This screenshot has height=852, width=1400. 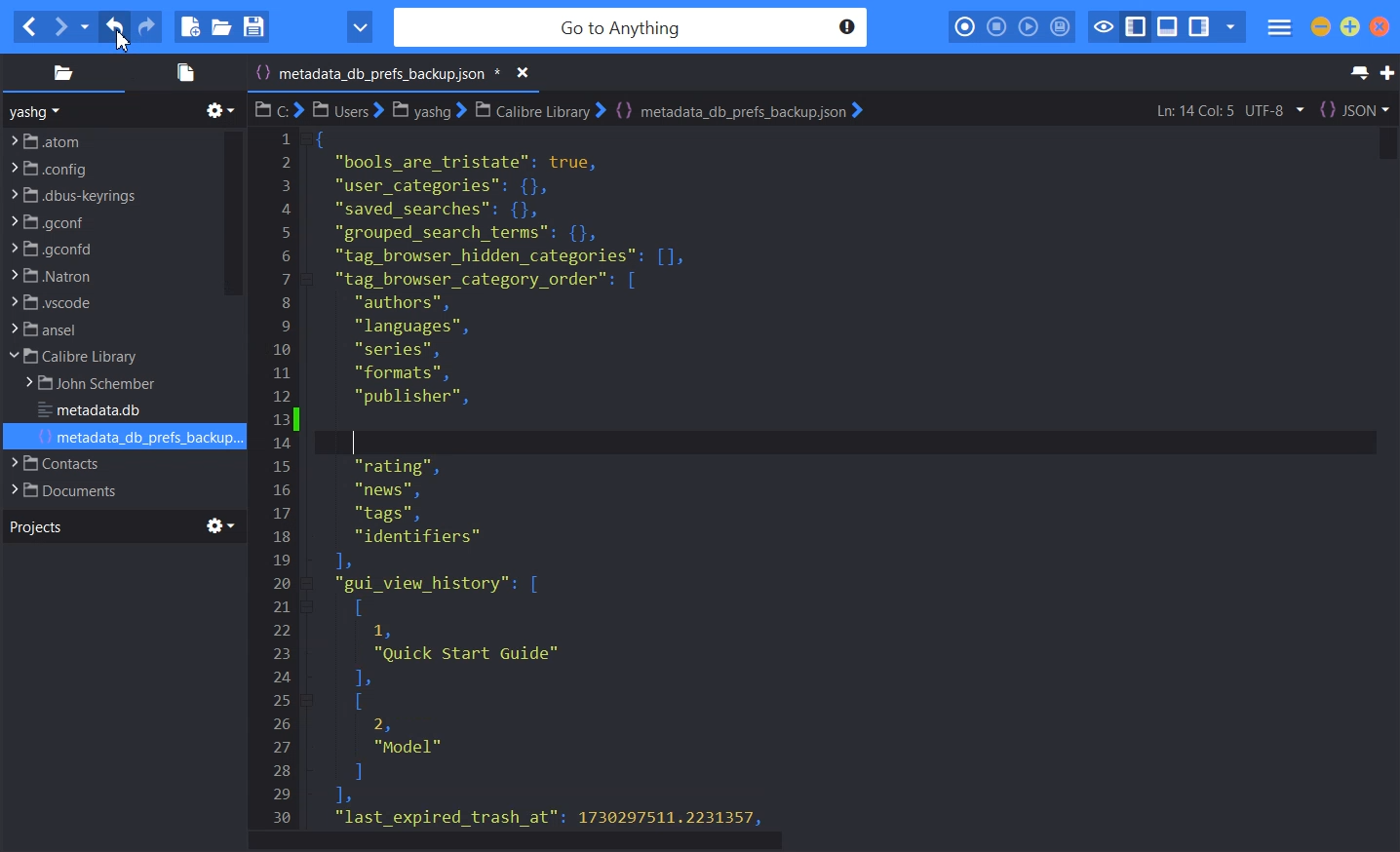 What do you see at coordinates (1061, 26) in the screenshot?
I see `Save macro to toolbox as Userscript` at bounding box center [1061, 26].